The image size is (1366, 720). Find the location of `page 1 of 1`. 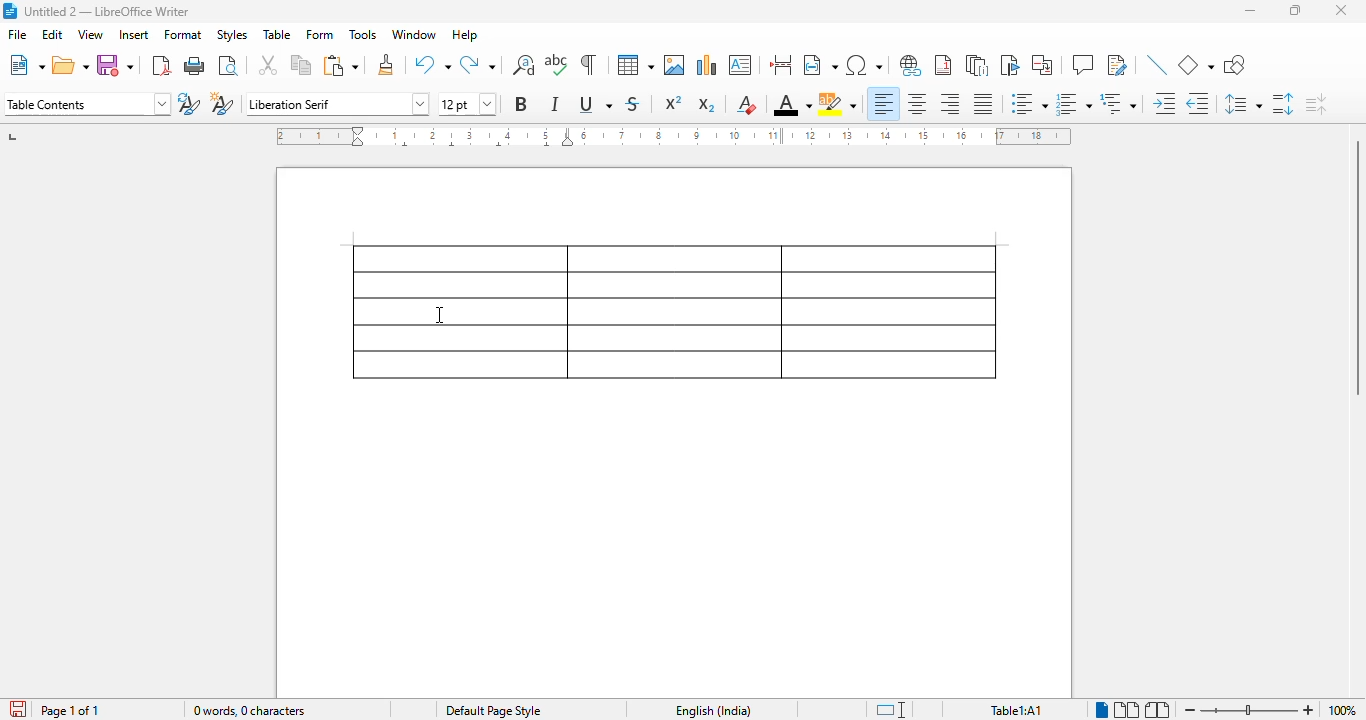

page 1 of 1 is located at coordinates (70, 711).